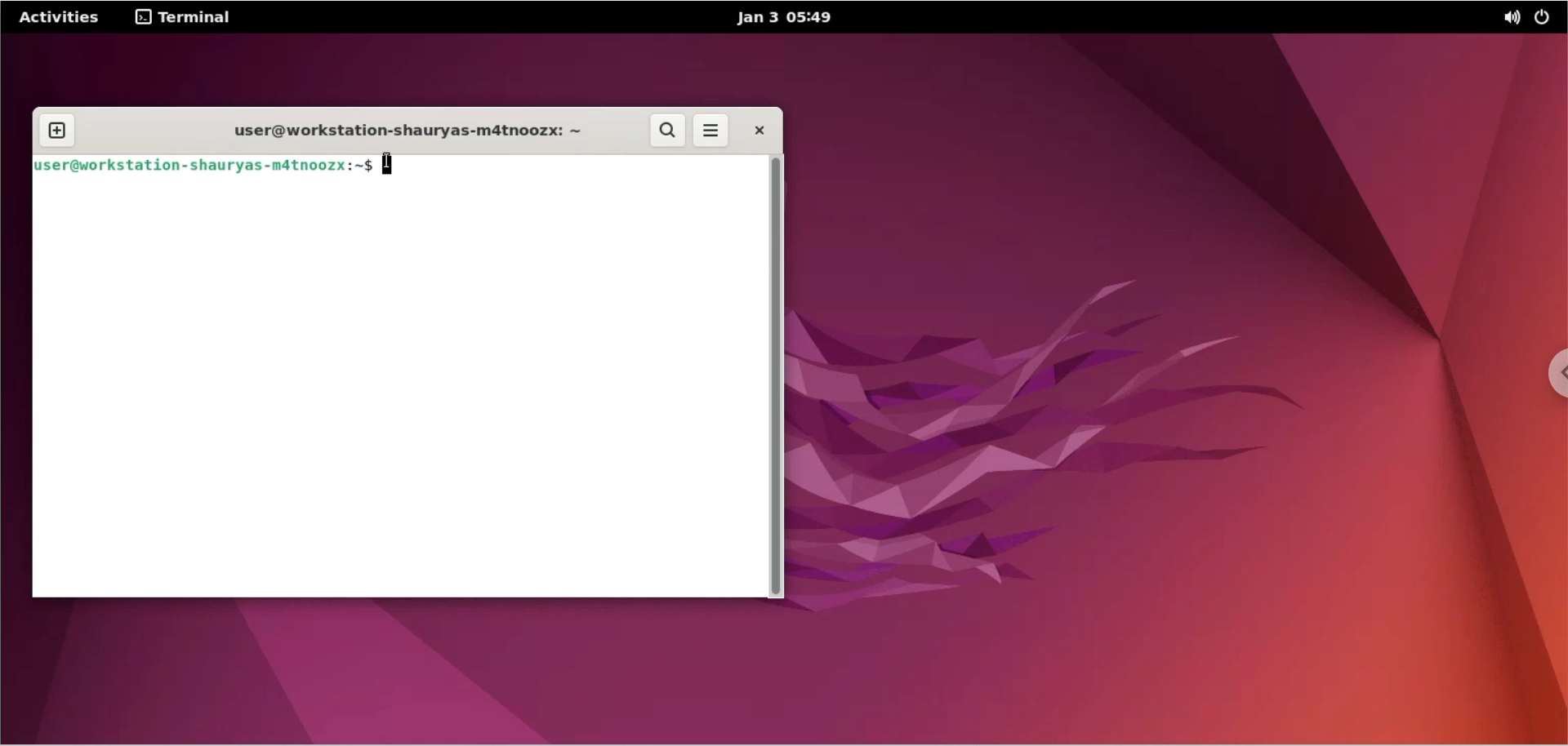 The image size is (1568, 746). I want to click on command input box, so click(398, 389).